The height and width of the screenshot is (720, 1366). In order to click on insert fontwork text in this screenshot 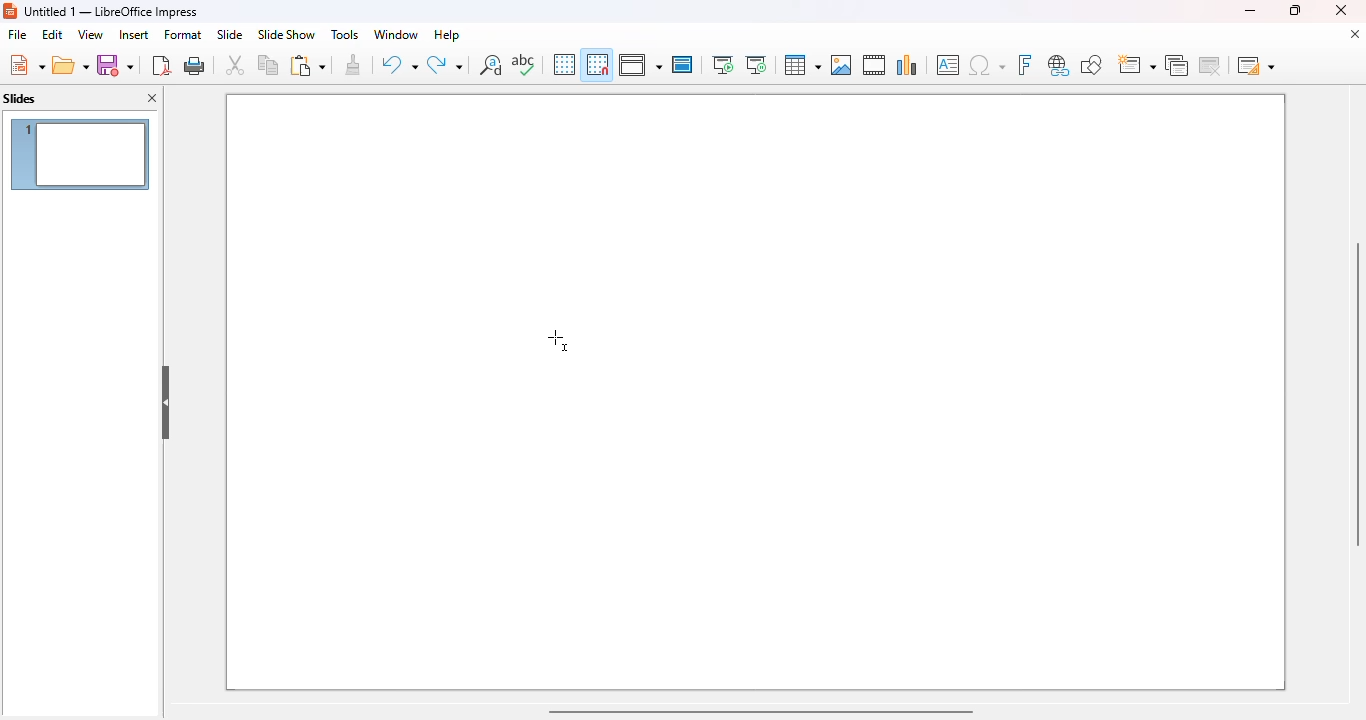, I will do `click(1024, 64)`.